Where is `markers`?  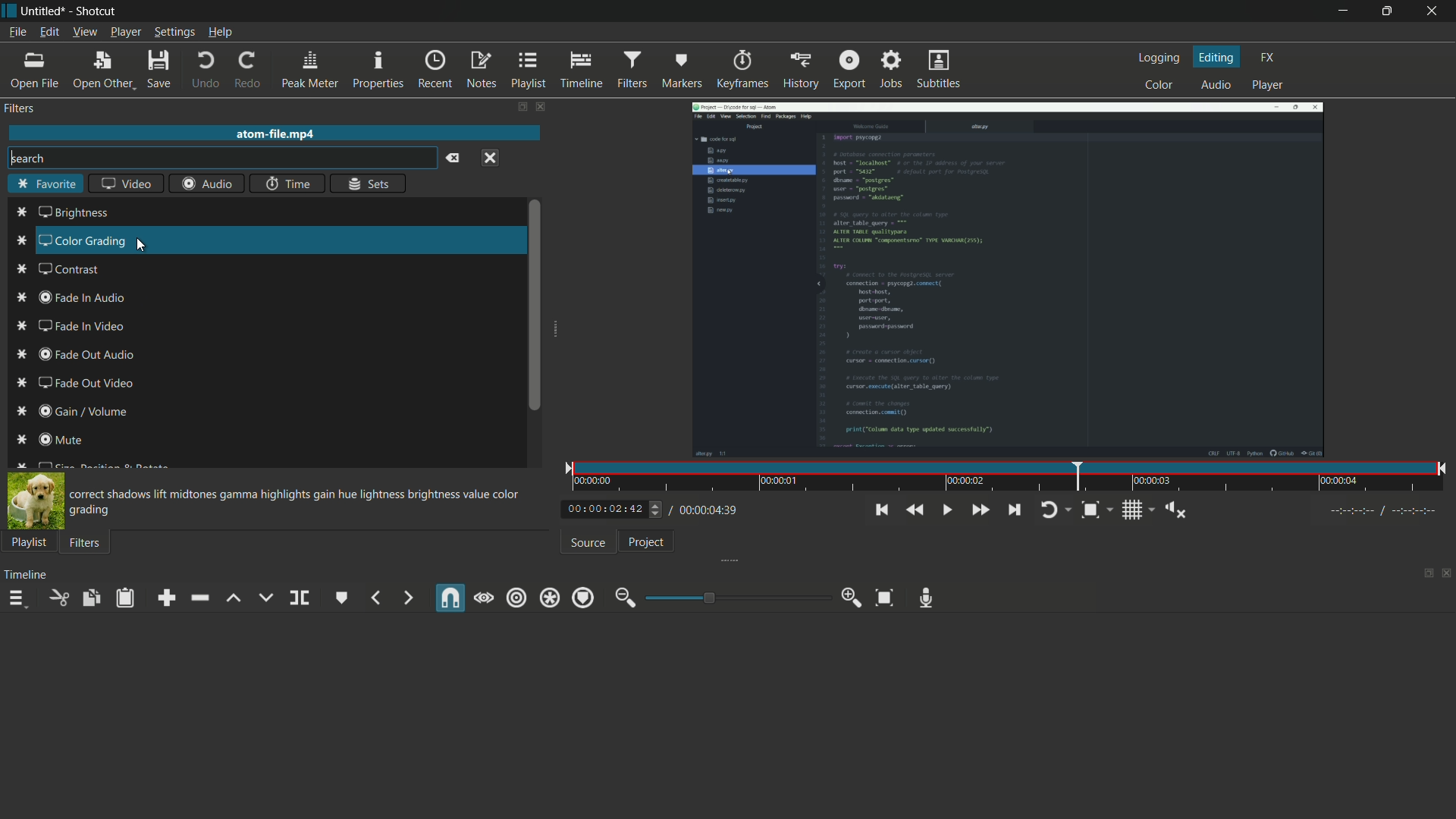
markers is located at coordinates (680, 71).